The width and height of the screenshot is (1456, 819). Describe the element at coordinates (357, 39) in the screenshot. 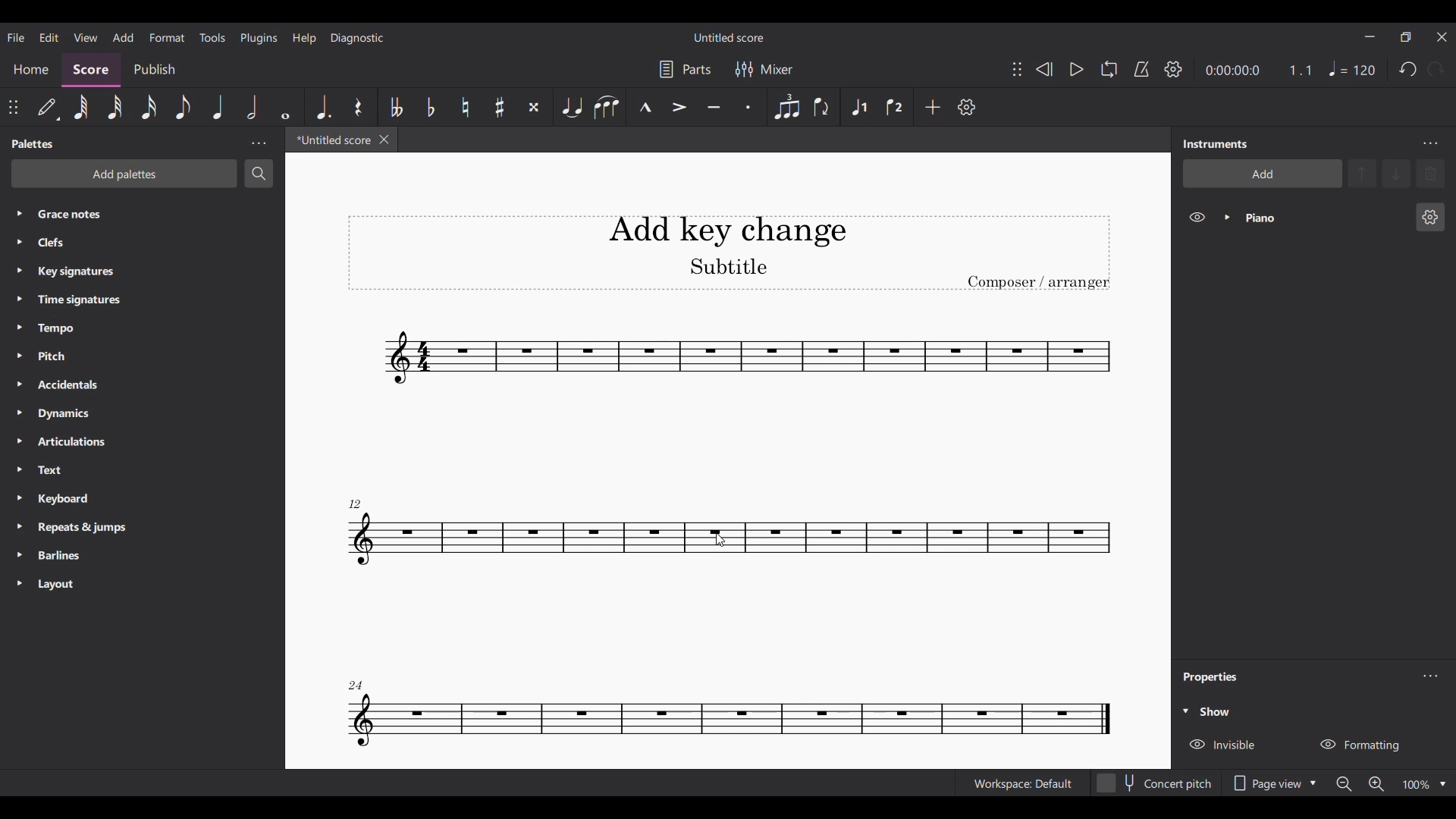

I see `Diagnostic menu` at that location.